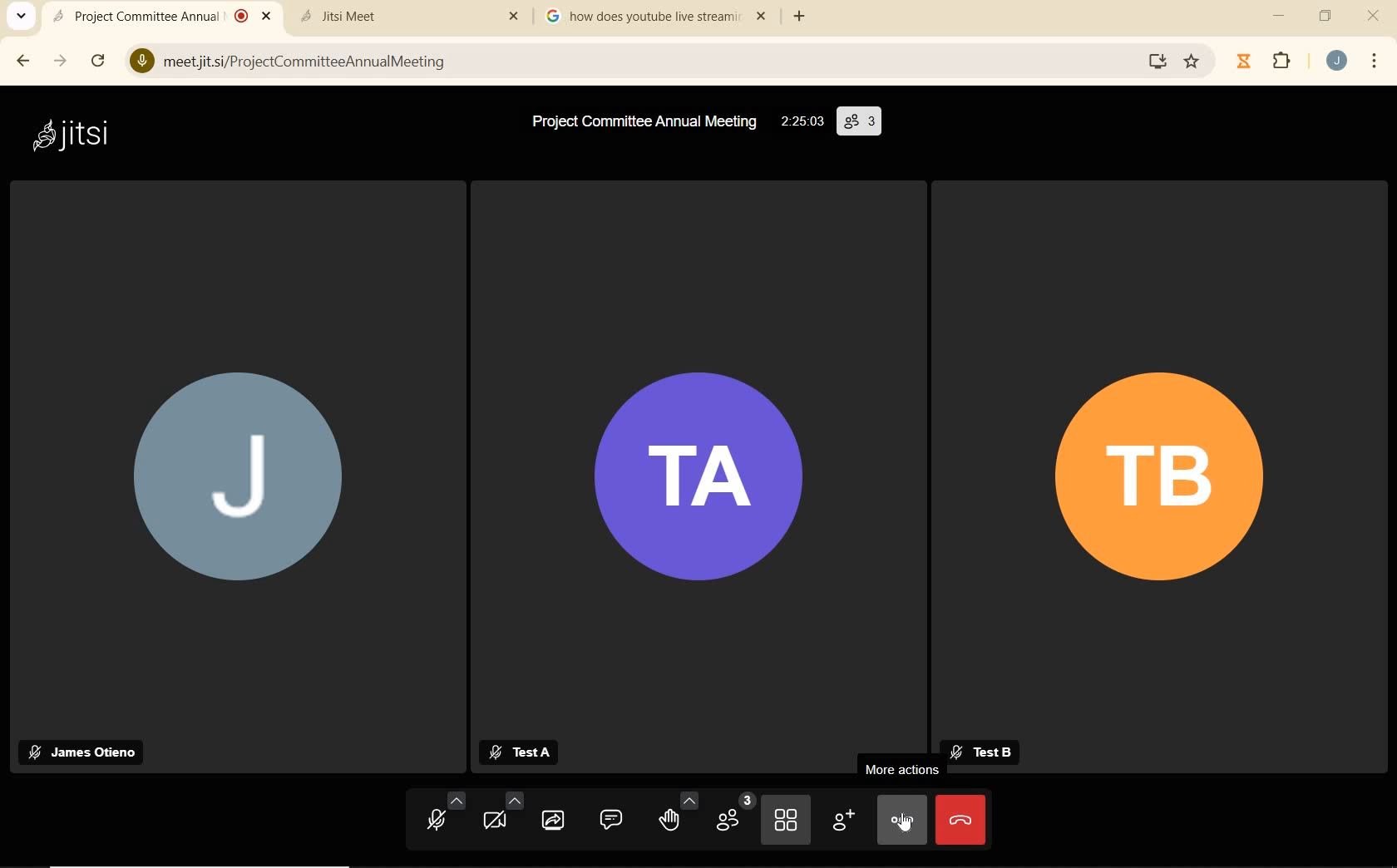  I want to click on microphone, so click(446, 815).